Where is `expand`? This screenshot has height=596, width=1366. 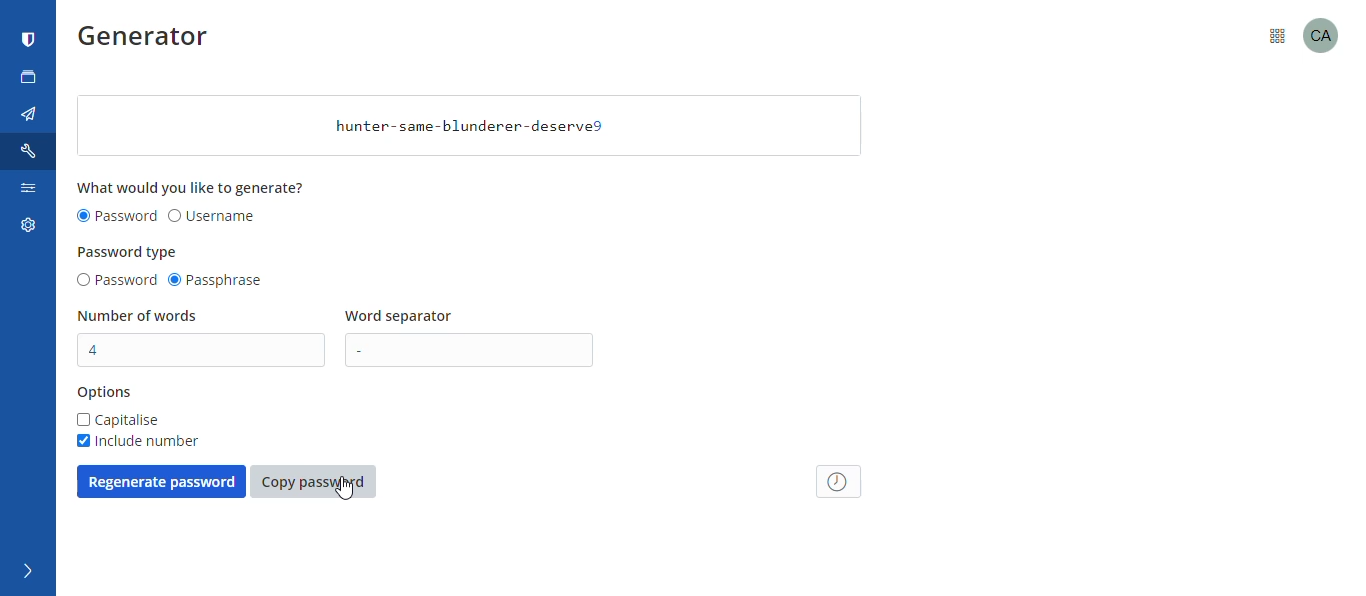 expand is located at coordinates (25, 572).